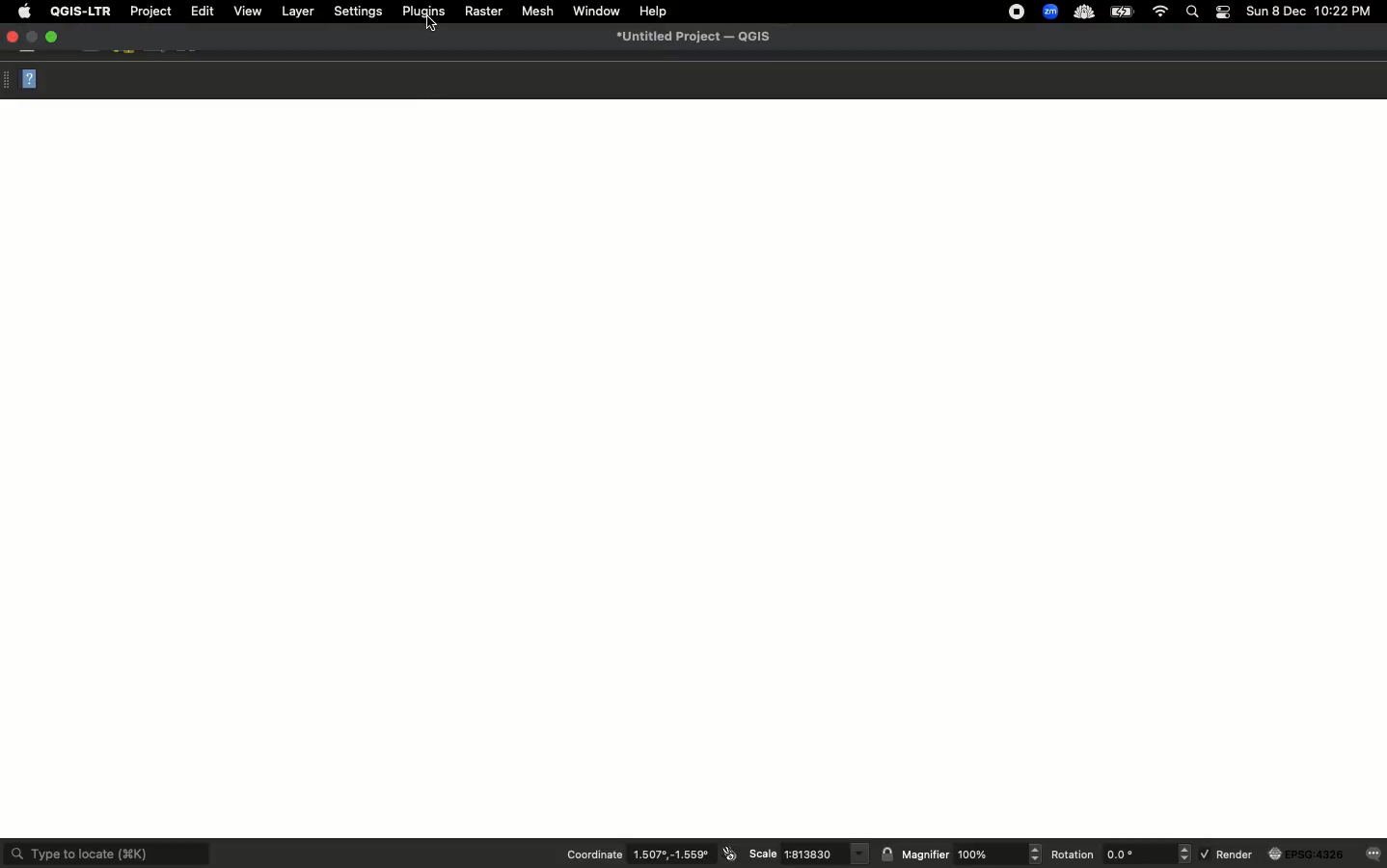  Describe the element at coordinates (731, 854) in the screenshot. I see `icon` at that location.